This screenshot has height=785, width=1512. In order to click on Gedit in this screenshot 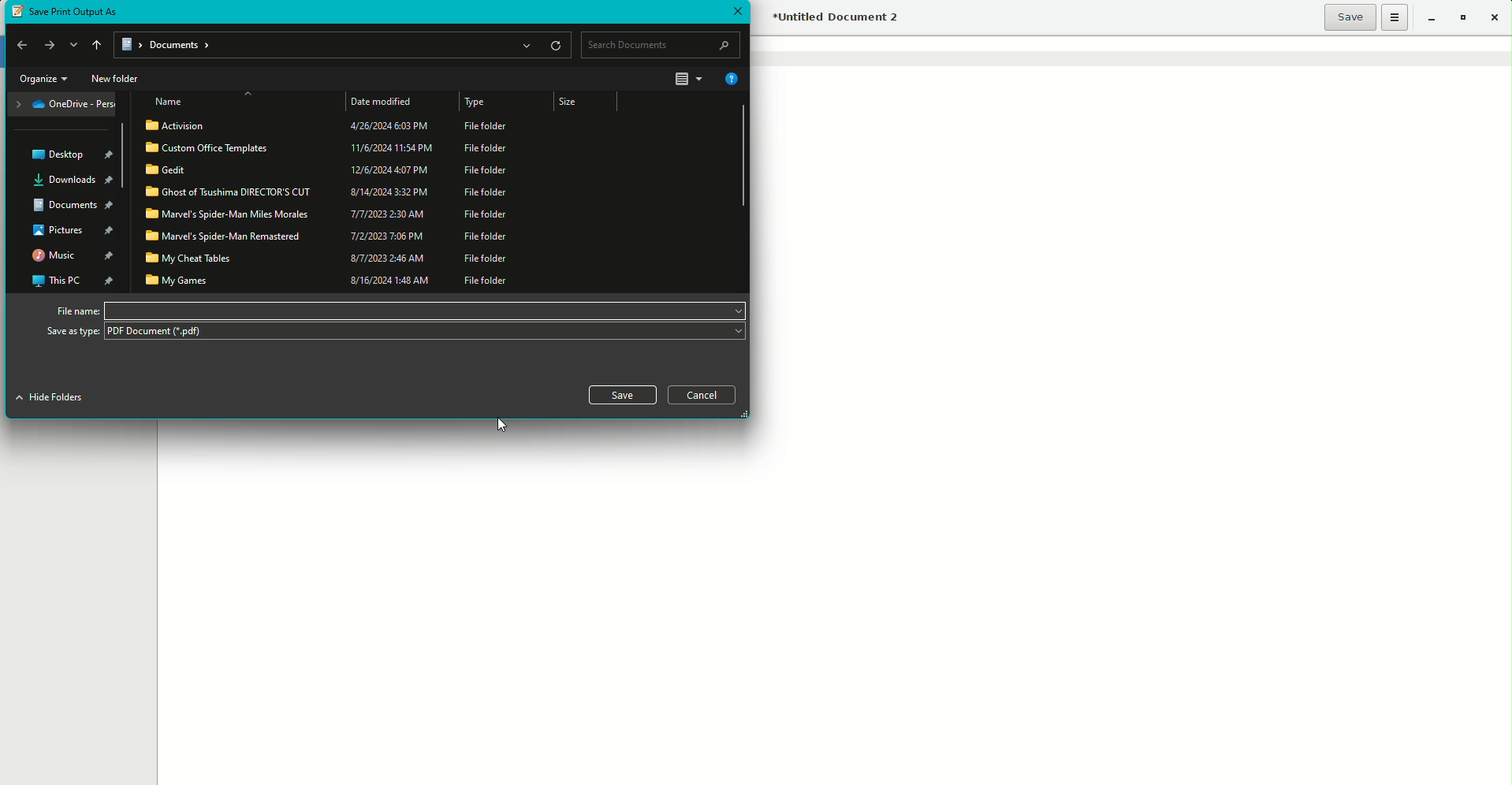, I will do `click(329, 169)`.